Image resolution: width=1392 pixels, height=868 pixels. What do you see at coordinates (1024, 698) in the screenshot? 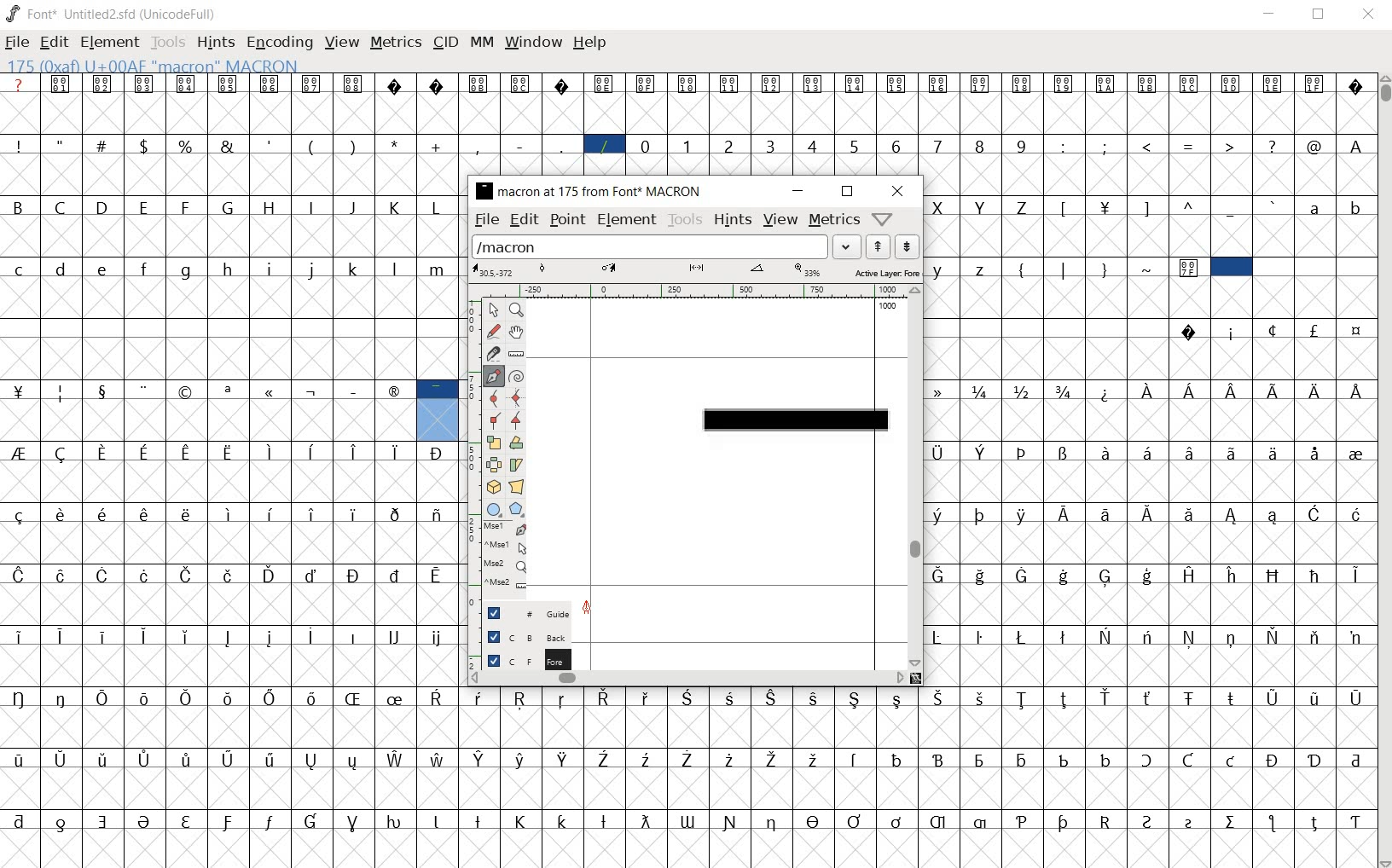
I see `Symbol` at bounding box center [1024, 698].